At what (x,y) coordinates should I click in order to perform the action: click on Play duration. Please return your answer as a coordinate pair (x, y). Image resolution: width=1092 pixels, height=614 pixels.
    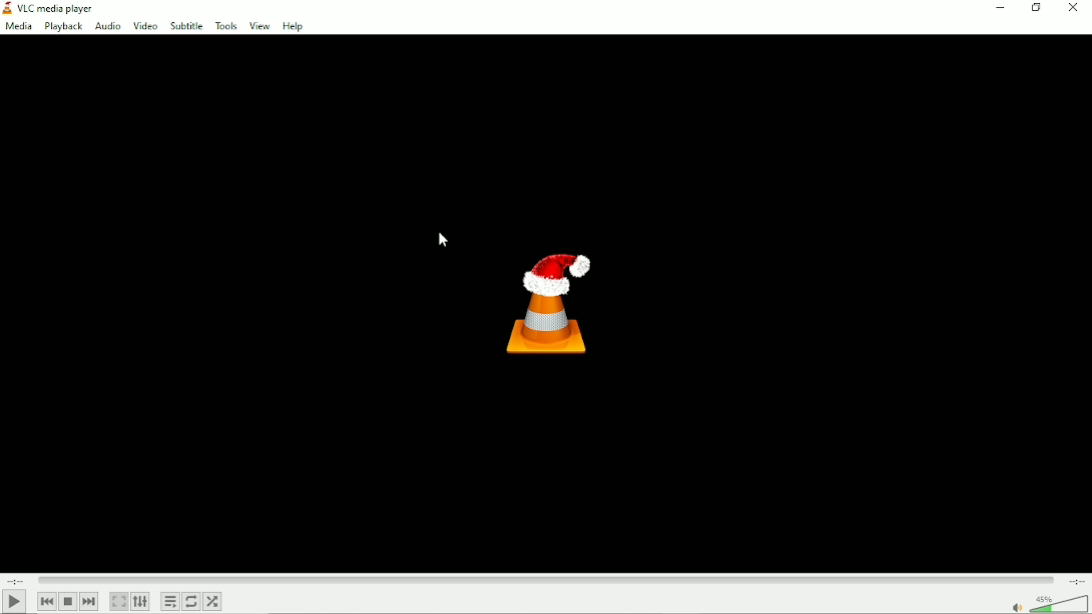
    Looking at the image, I should click on (546, 580).